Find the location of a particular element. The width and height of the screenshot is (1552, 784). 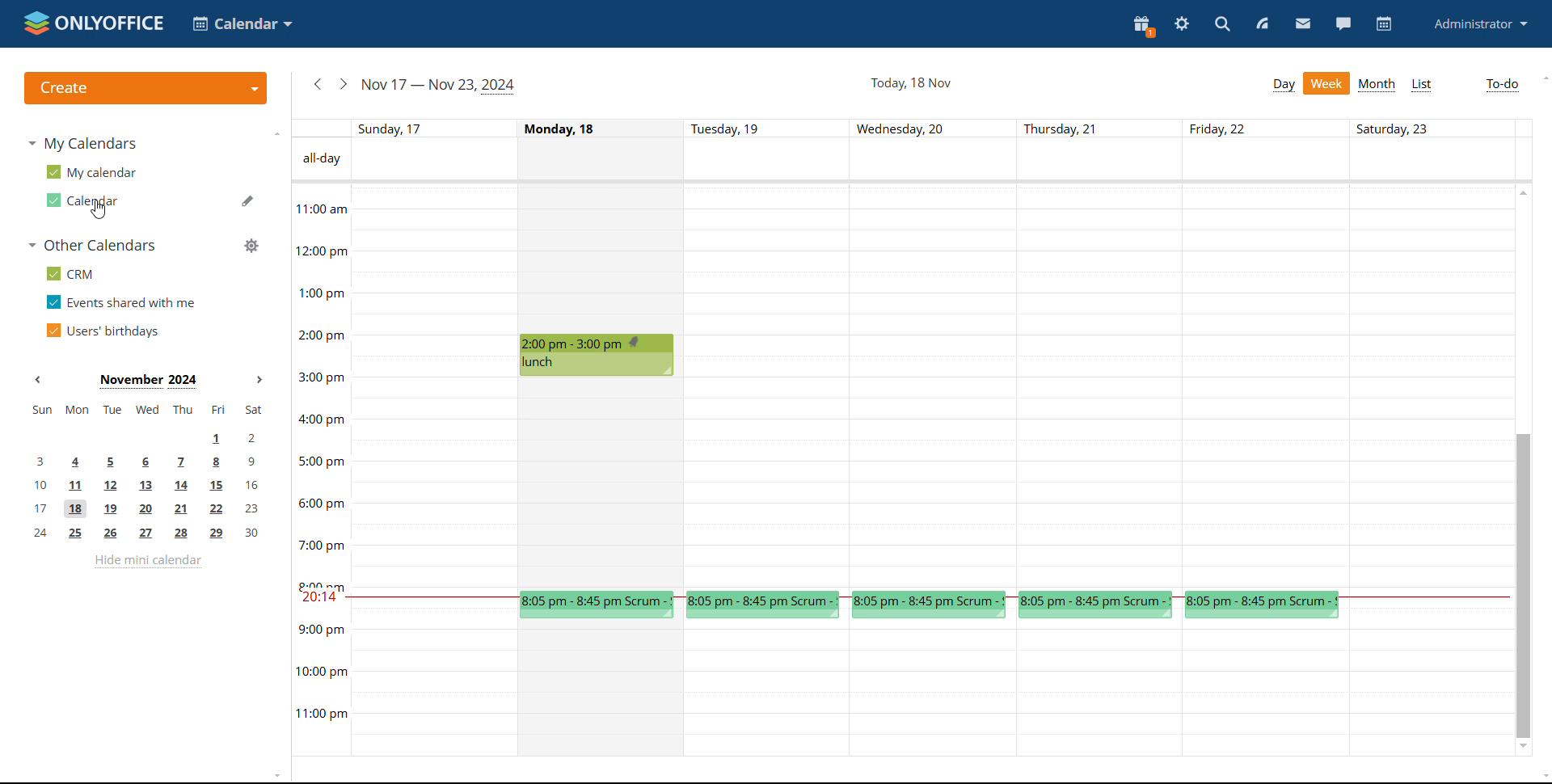

week view is located at coordinates (1327, 84).